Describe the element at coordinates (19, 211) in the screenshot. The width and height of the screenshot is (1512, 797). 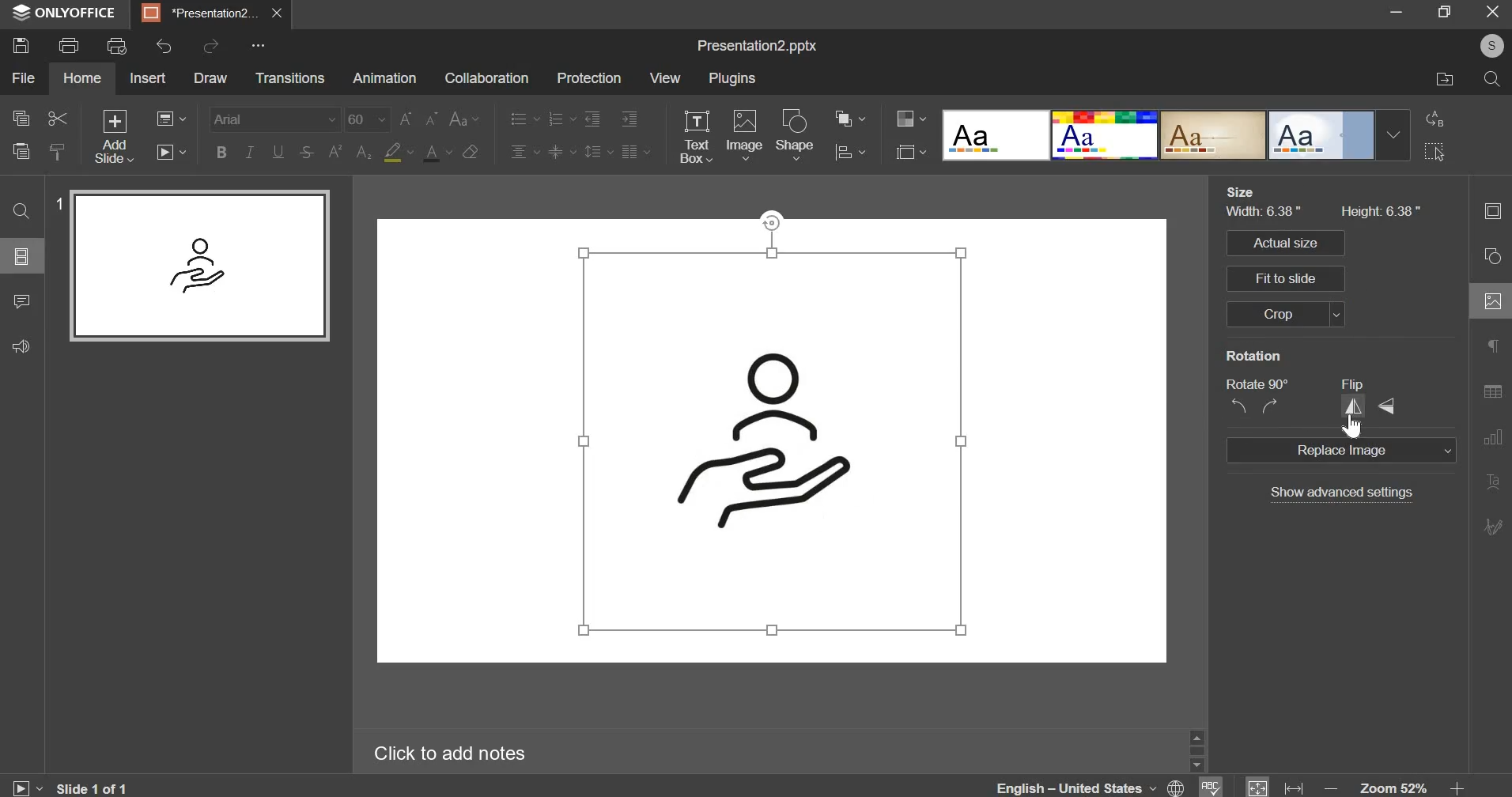
I see `find` at that location.